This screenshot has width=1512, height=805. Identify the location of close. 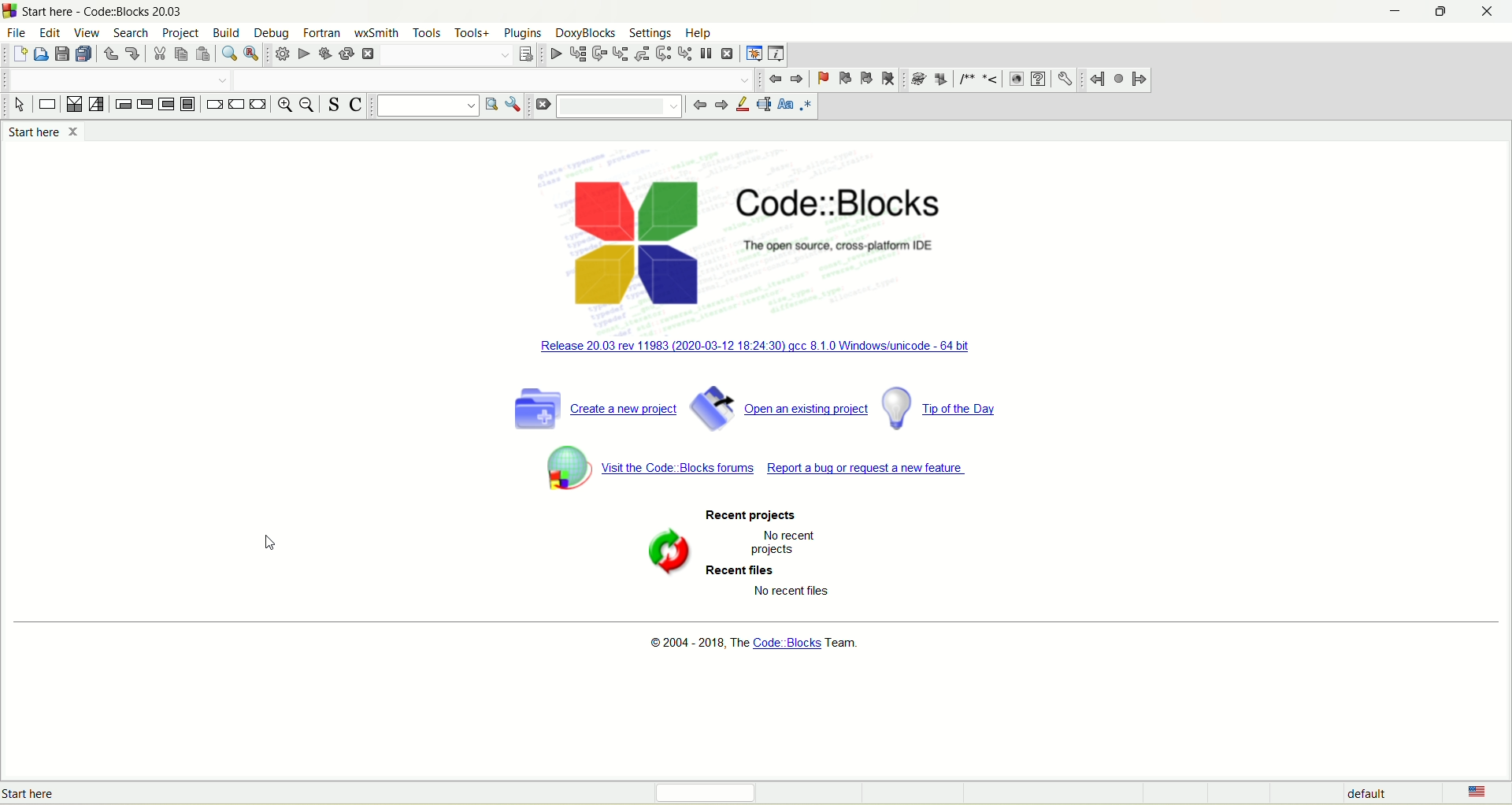
(1491, 14).